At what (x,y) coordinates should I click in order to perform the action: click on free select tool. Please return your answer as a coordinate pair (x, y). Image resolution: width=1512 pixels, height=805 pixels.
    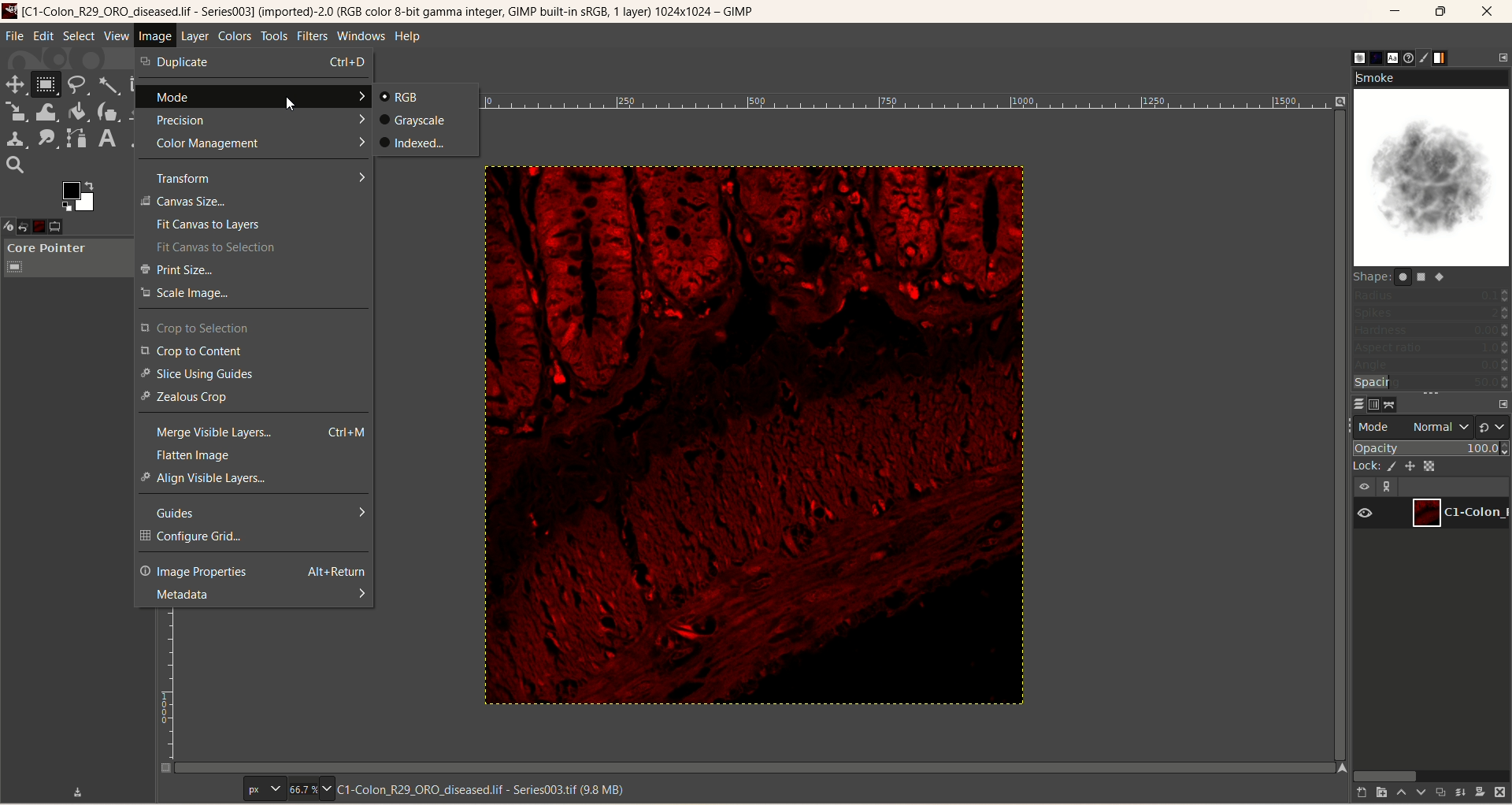
    Looking at the image, I should click on (78, 84).